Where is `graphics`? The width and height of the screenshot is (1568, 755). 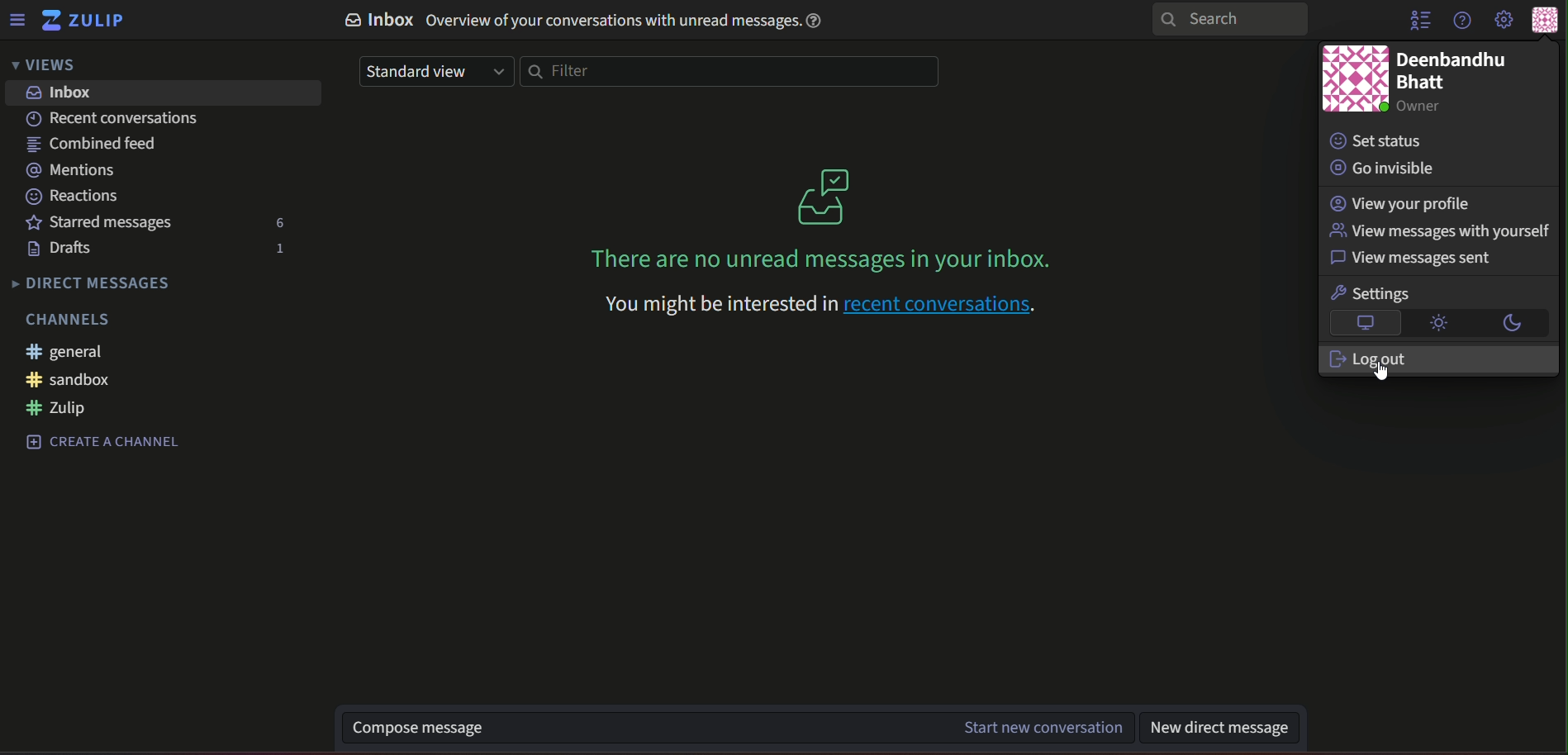 graphics is located at coordinates (817, 192).